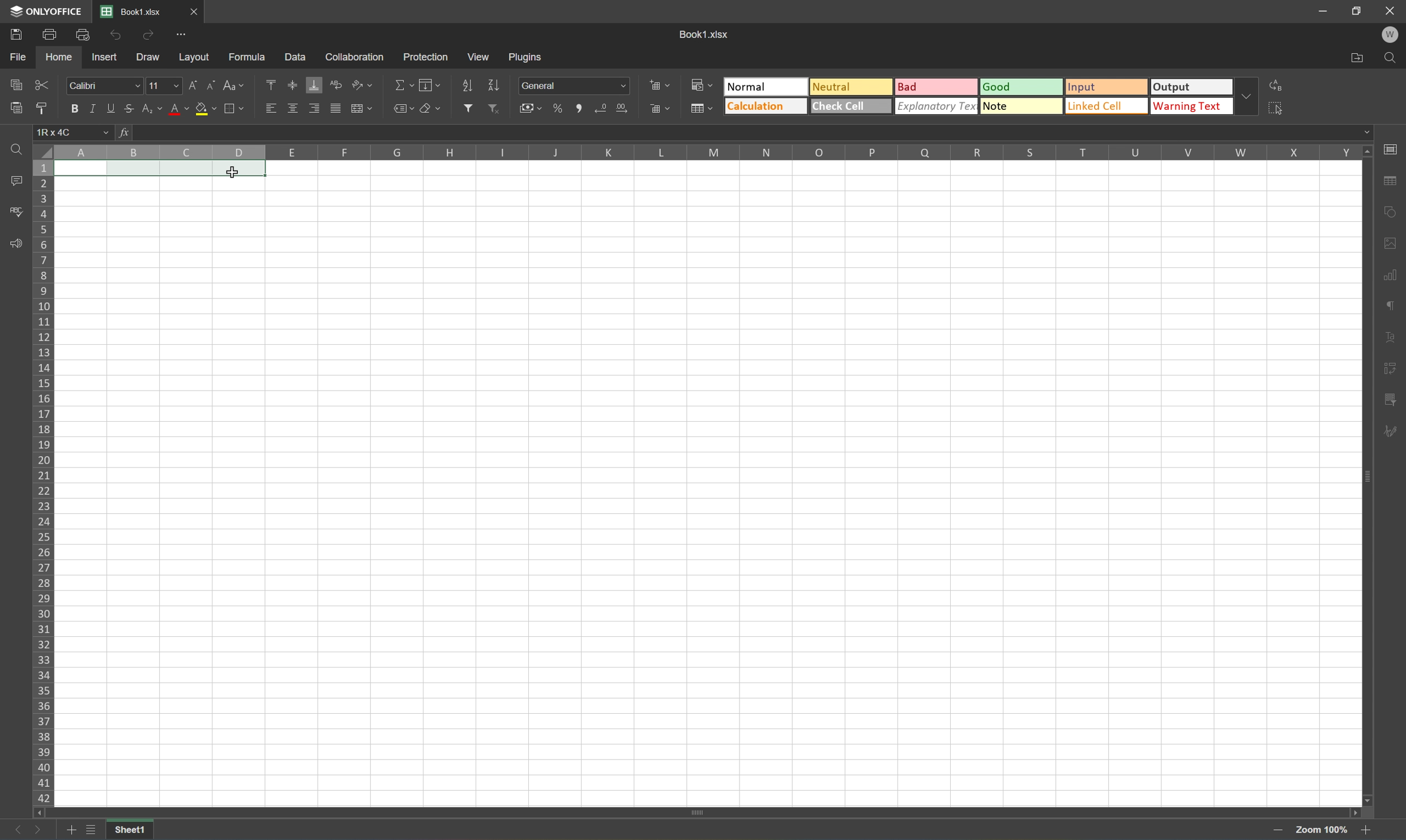 Image resolution: width=1406 pixels, height=840 pixels. Describe the element at coordinates (314, 110) in the screenshot. I see `Align right` at that location.